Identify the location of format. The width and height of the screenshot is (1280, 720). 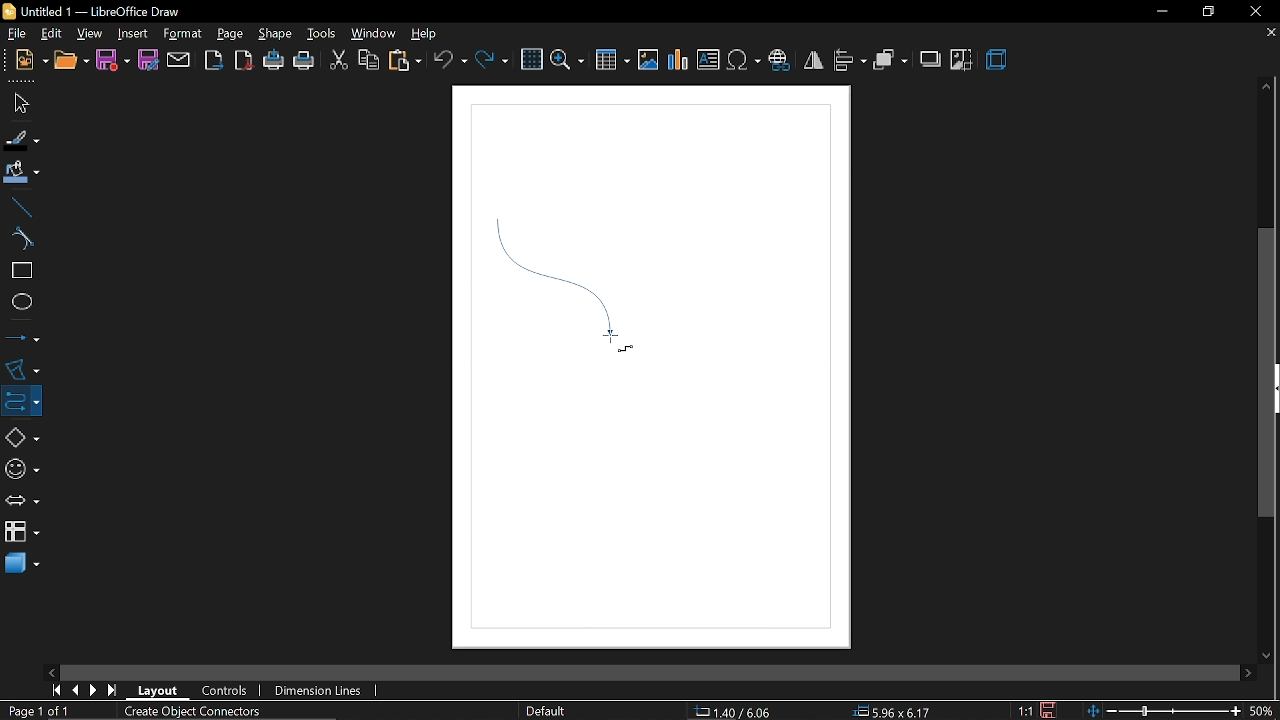
(182, 34).